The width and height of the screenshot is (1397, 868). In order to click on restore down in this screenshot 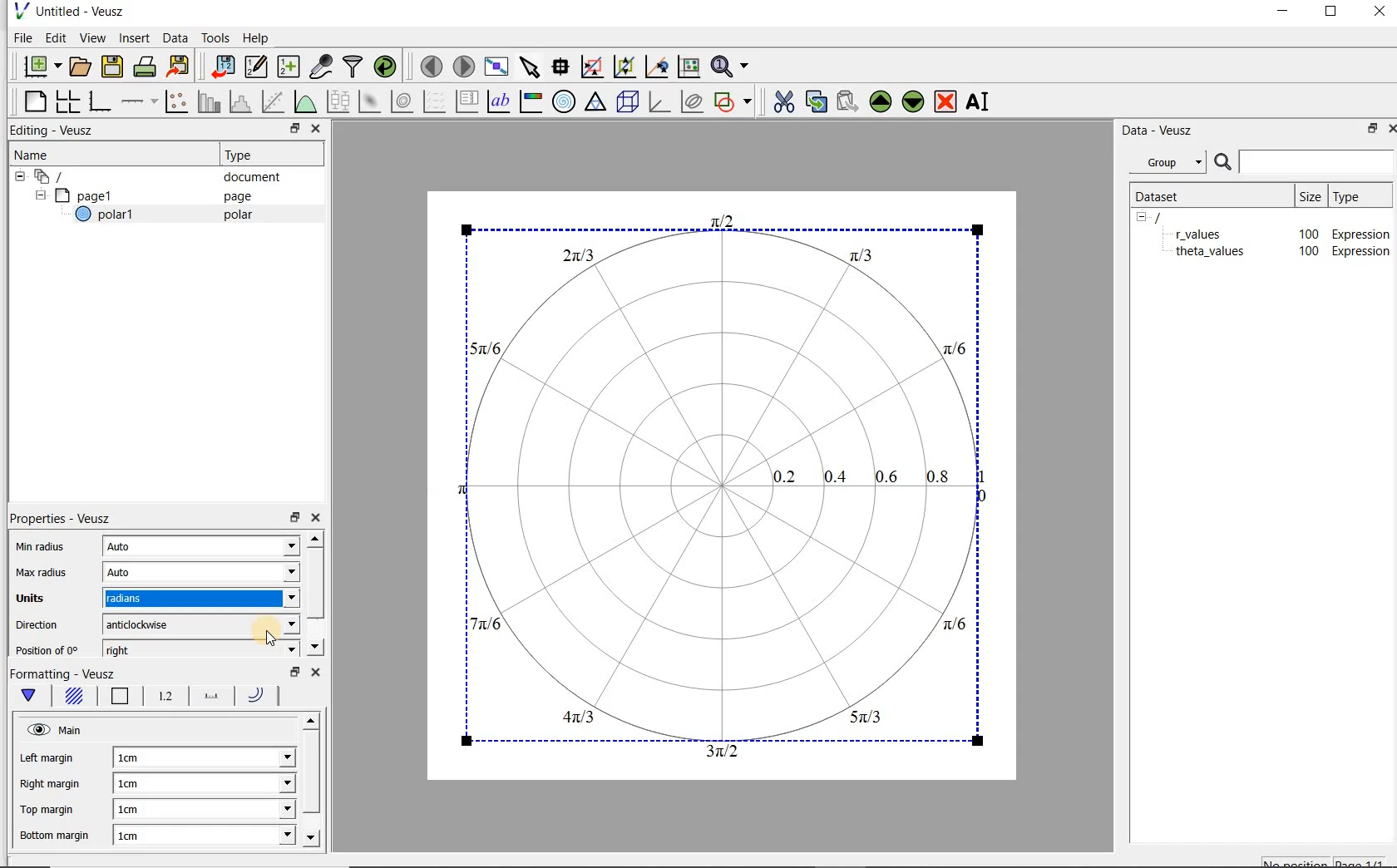, I will do `click(1368, 131)`.